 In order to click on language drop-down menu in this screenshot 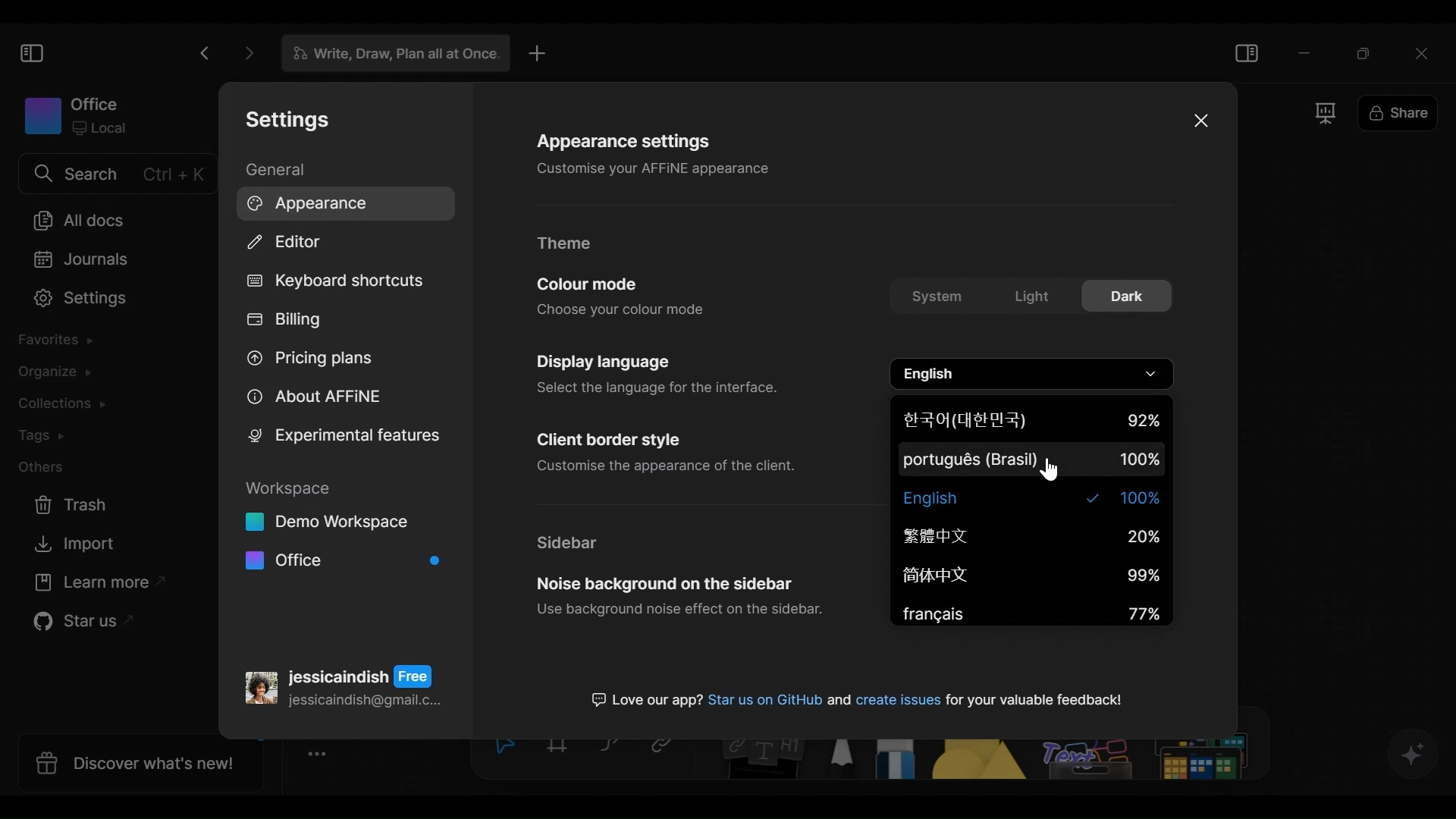, I will do `click(1031, 512)`.